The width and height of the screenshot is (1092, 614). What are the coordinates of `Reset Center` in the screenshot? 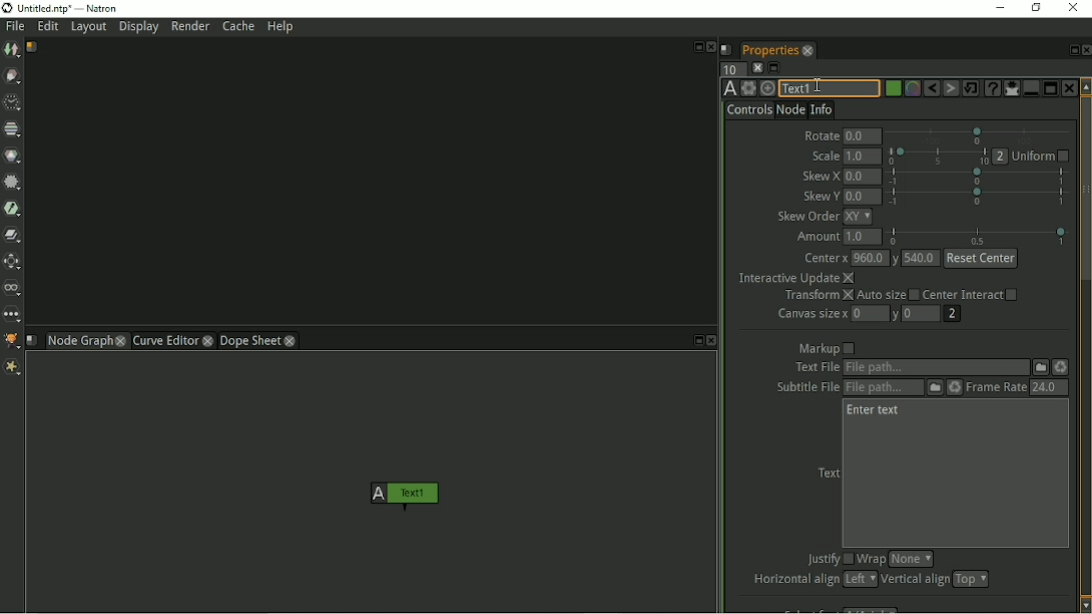 It's located at (982, 259).